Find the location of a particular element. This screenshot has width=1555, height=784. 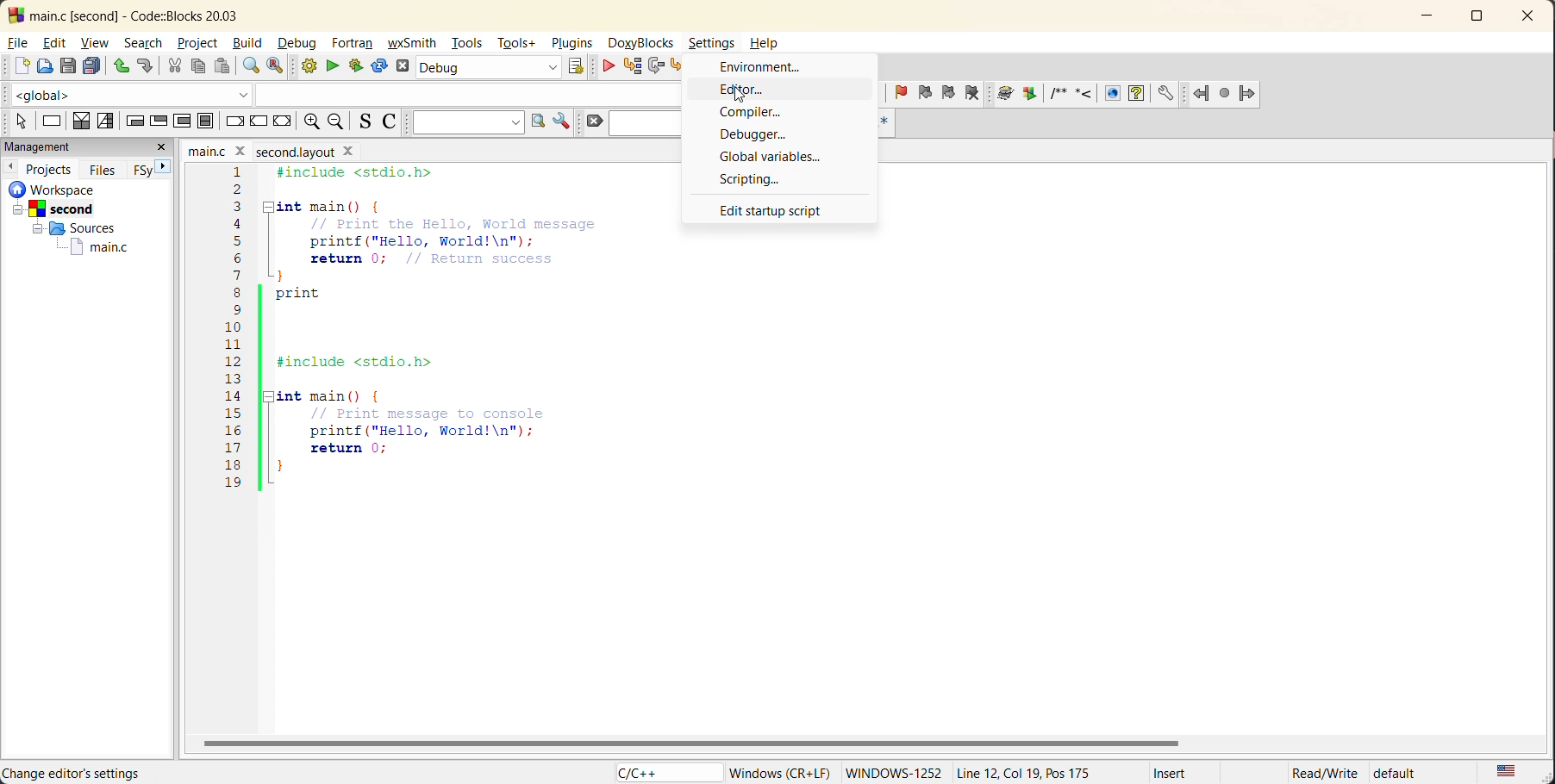

language is located at coordinates (659, 771).